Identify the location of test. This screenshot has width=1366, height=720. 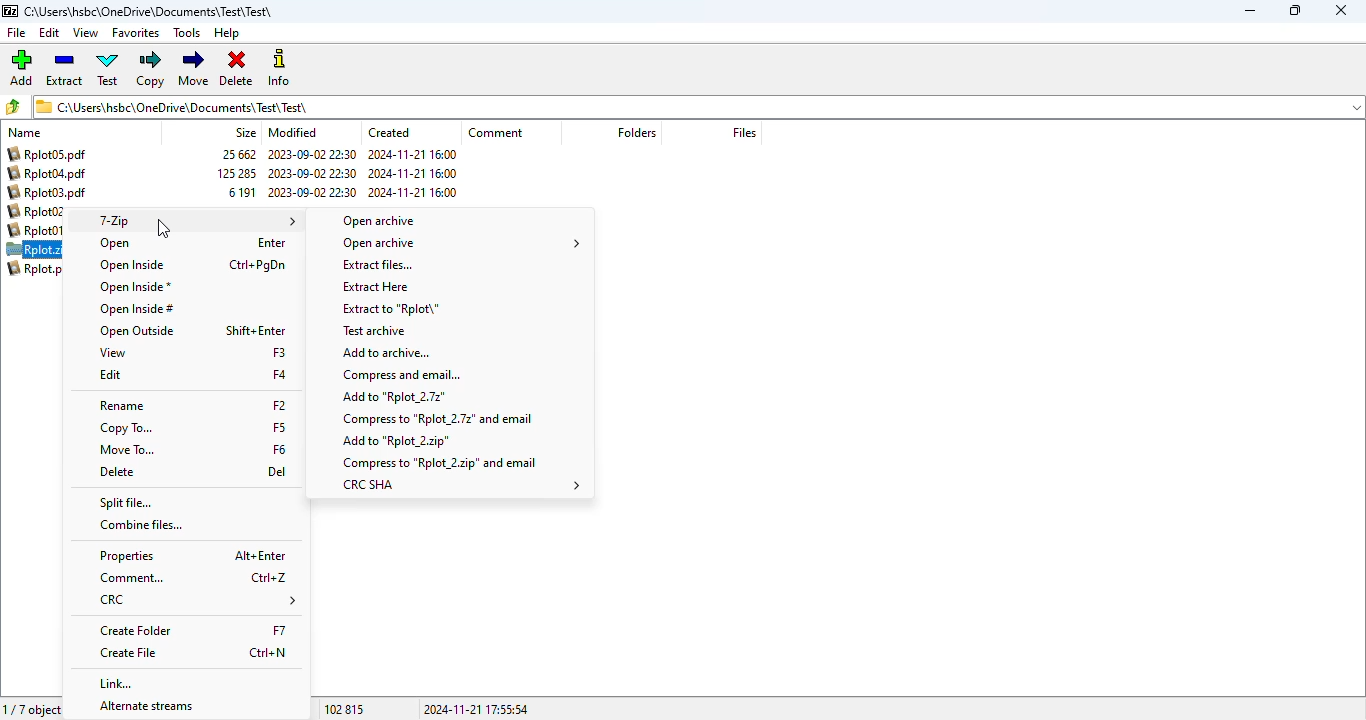
(108, 68).